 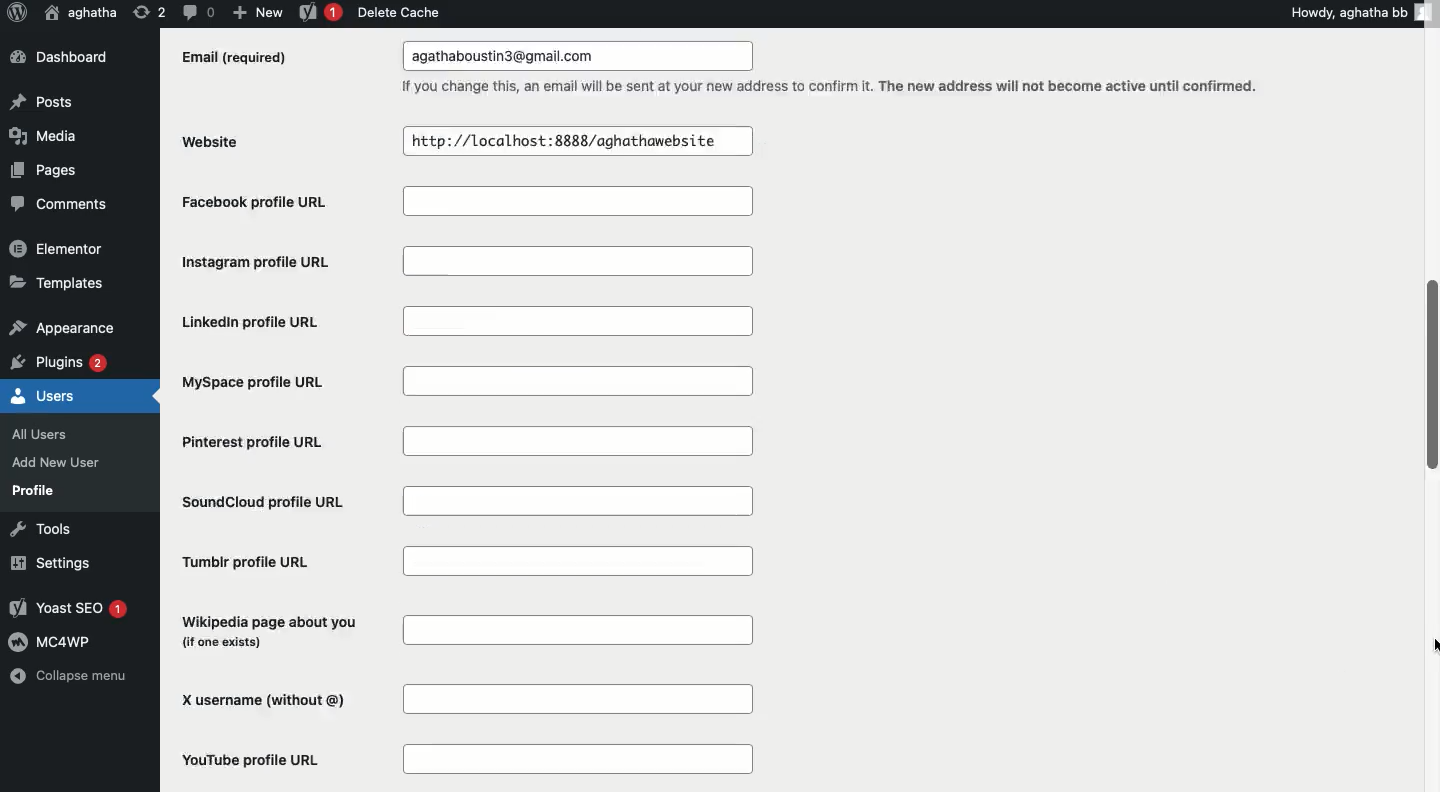 What do you see at coordinates (466, 759) in the screenshot?
I see `Youtube profile URL` at bounding box center [466, 759].